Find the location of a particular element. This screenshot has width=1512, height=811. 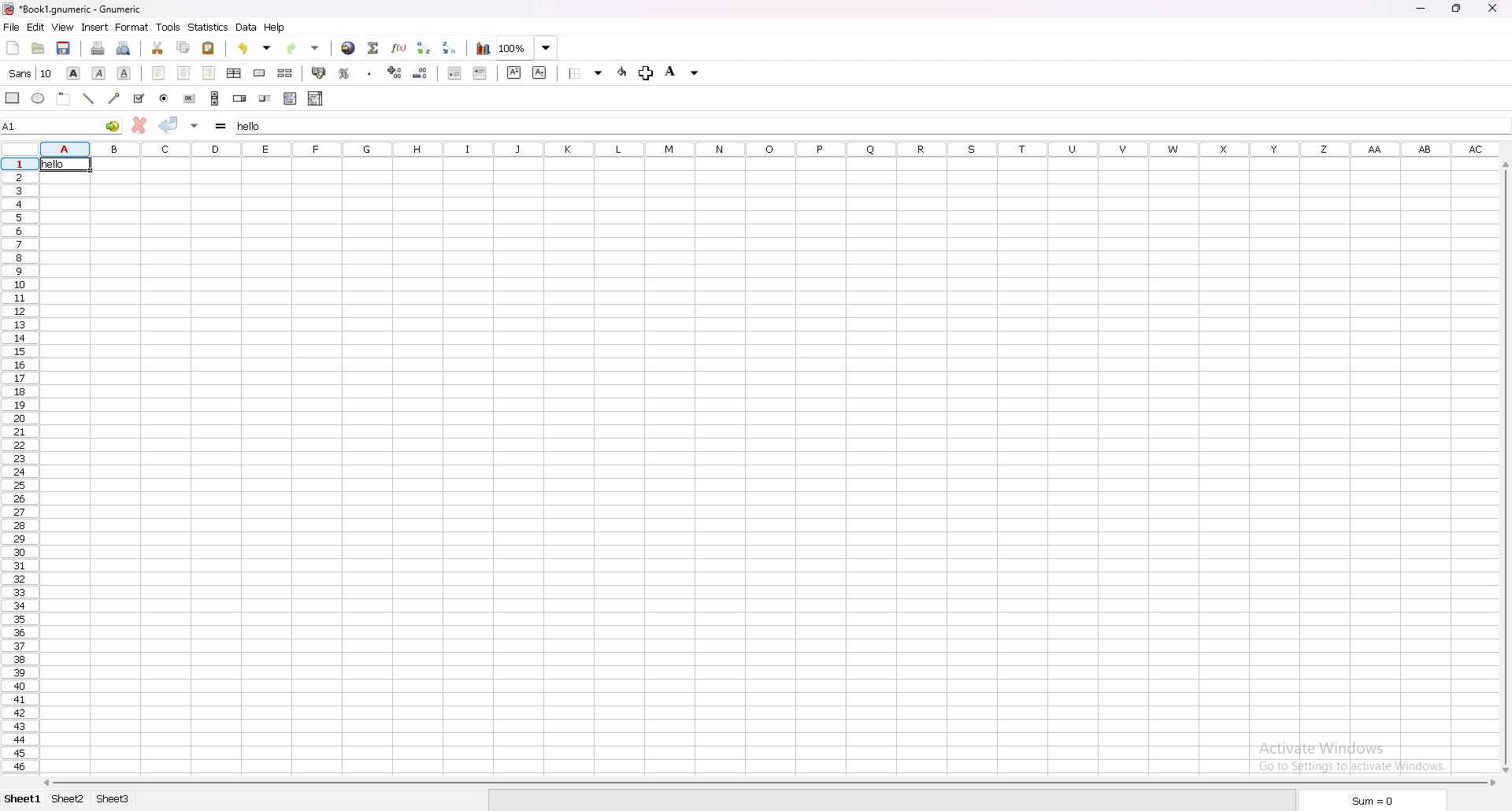

save is located at coordinates (64, 48).